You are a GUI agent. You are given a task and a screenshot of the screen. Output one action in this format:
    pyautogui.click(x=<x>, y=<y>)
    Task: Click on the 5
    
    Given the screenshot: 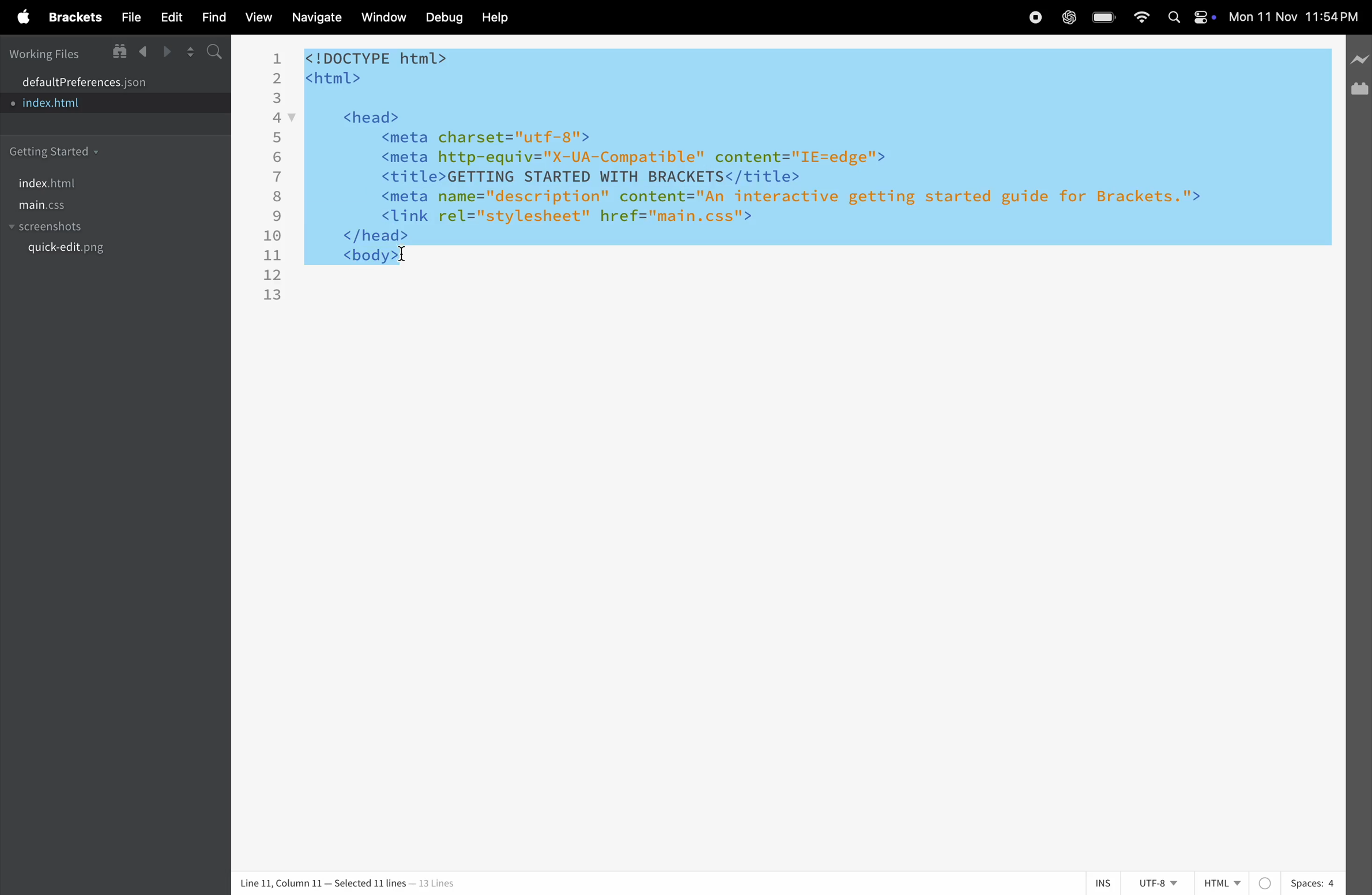 What is the action you would take?
    pyautogui.click(x=276, y=138)
    